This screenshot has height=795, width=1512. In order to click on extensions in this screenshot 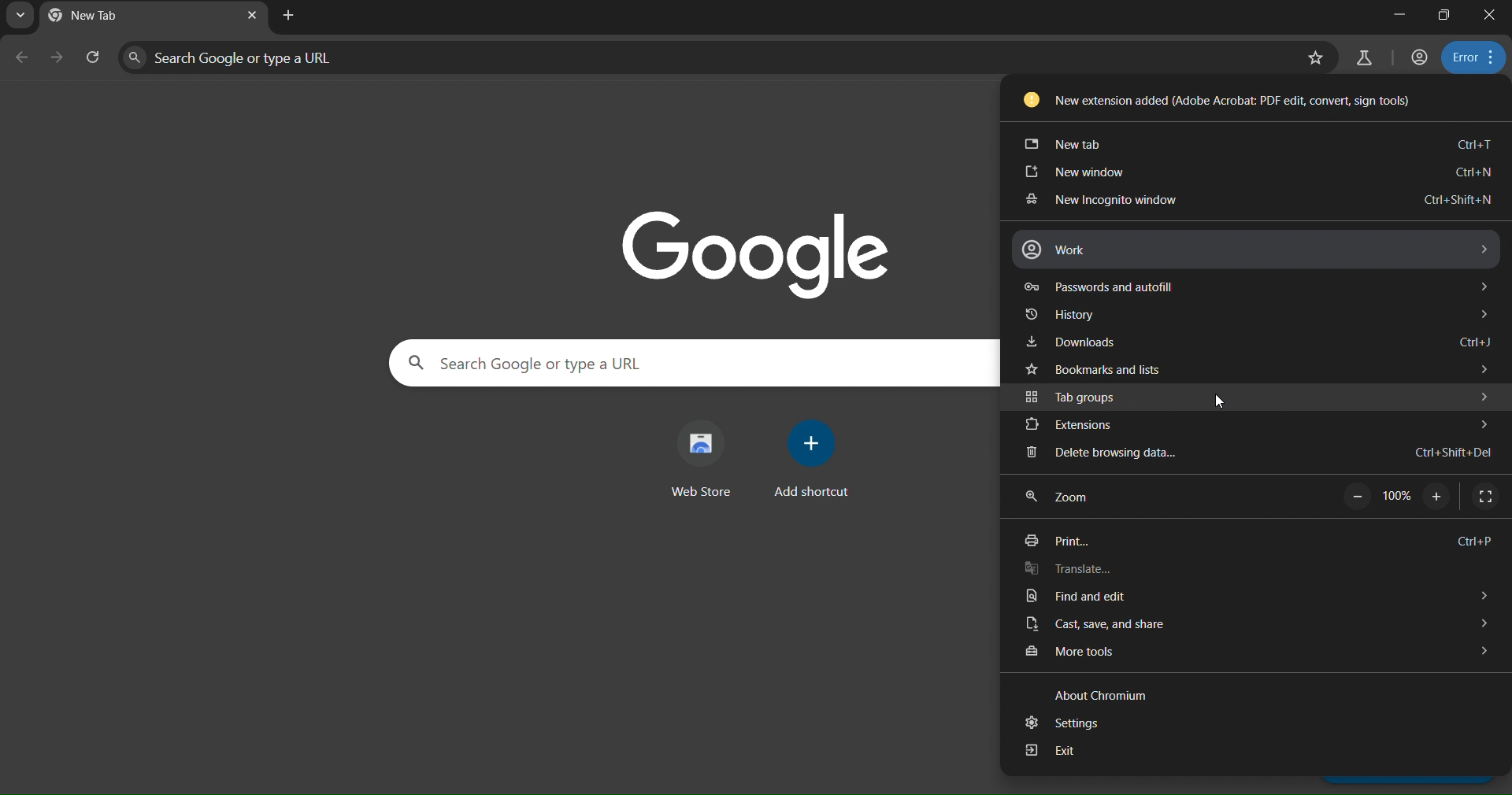, I will do `click(1251, 425)`.